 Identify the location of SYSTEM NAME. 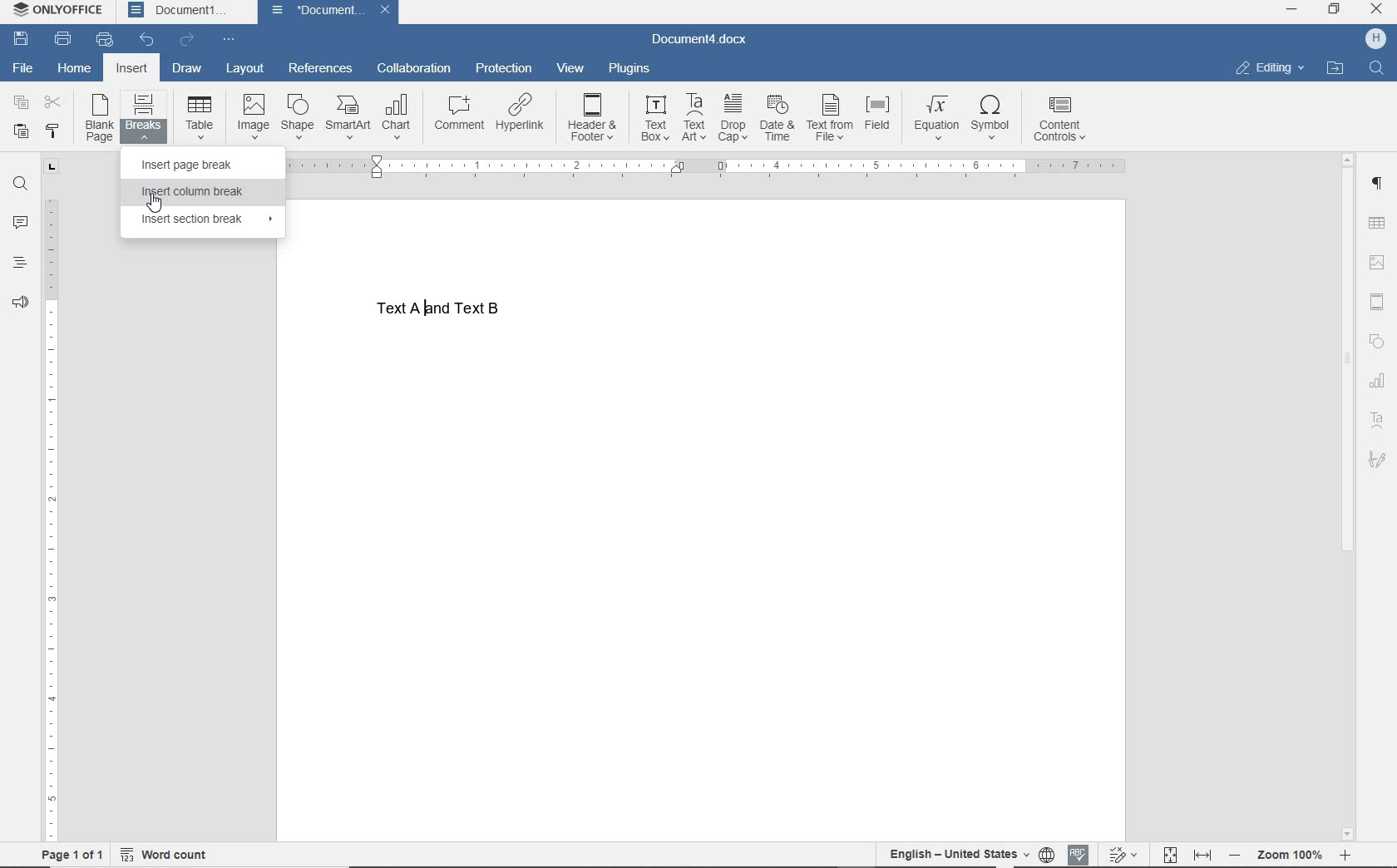
(61, 11).